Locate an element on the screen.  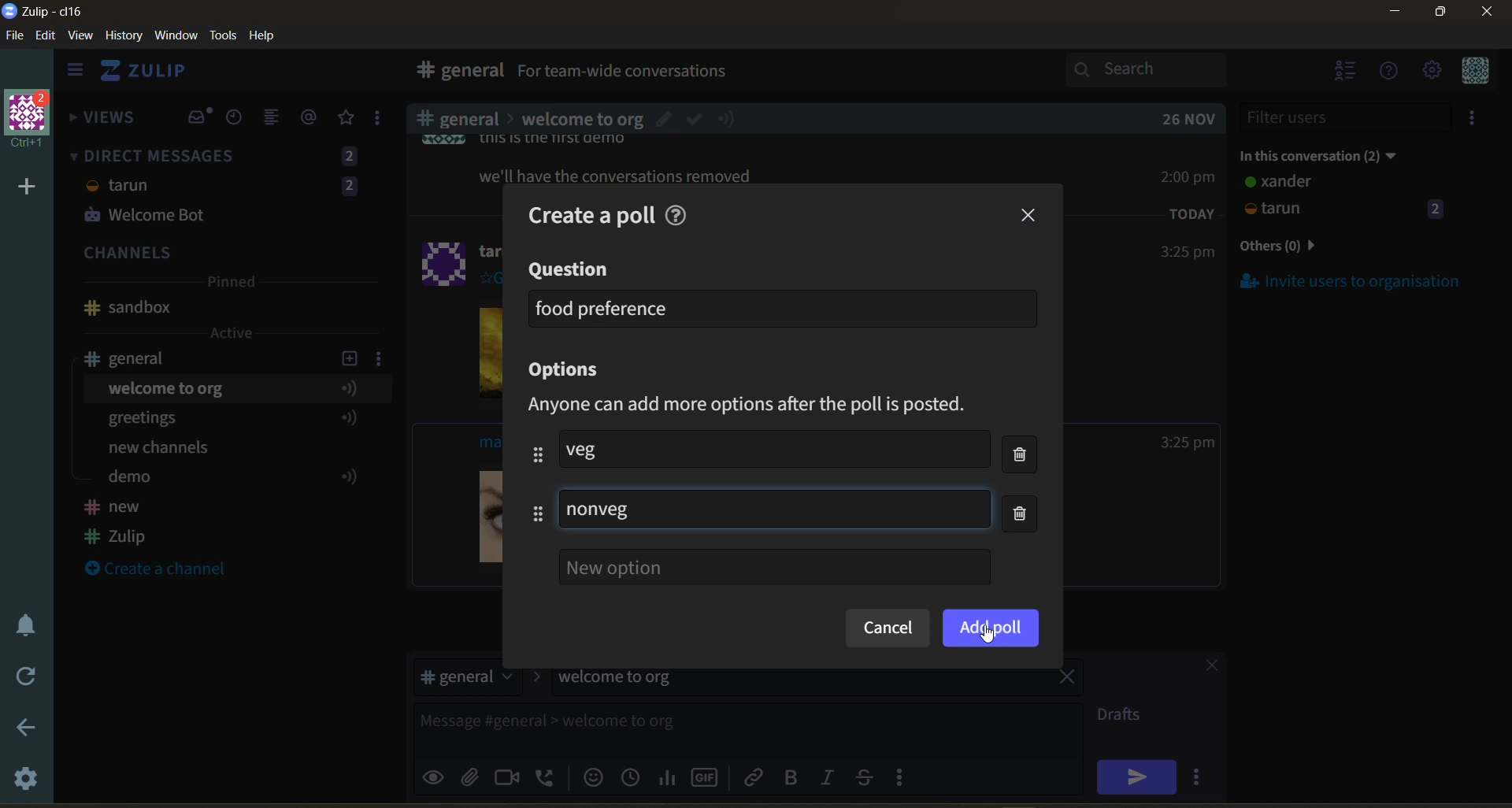
text box is located at coordinates (707, 727).